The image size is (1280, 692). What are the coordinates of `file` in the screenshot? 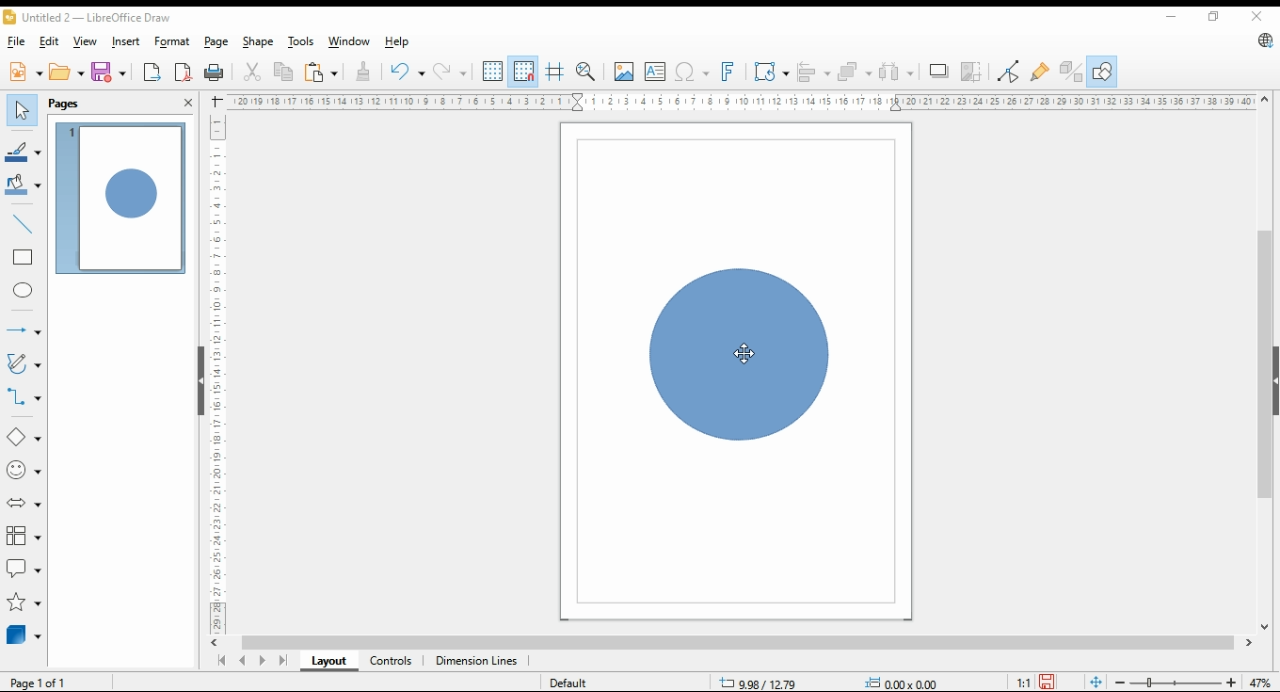 It's located at (17, 42).